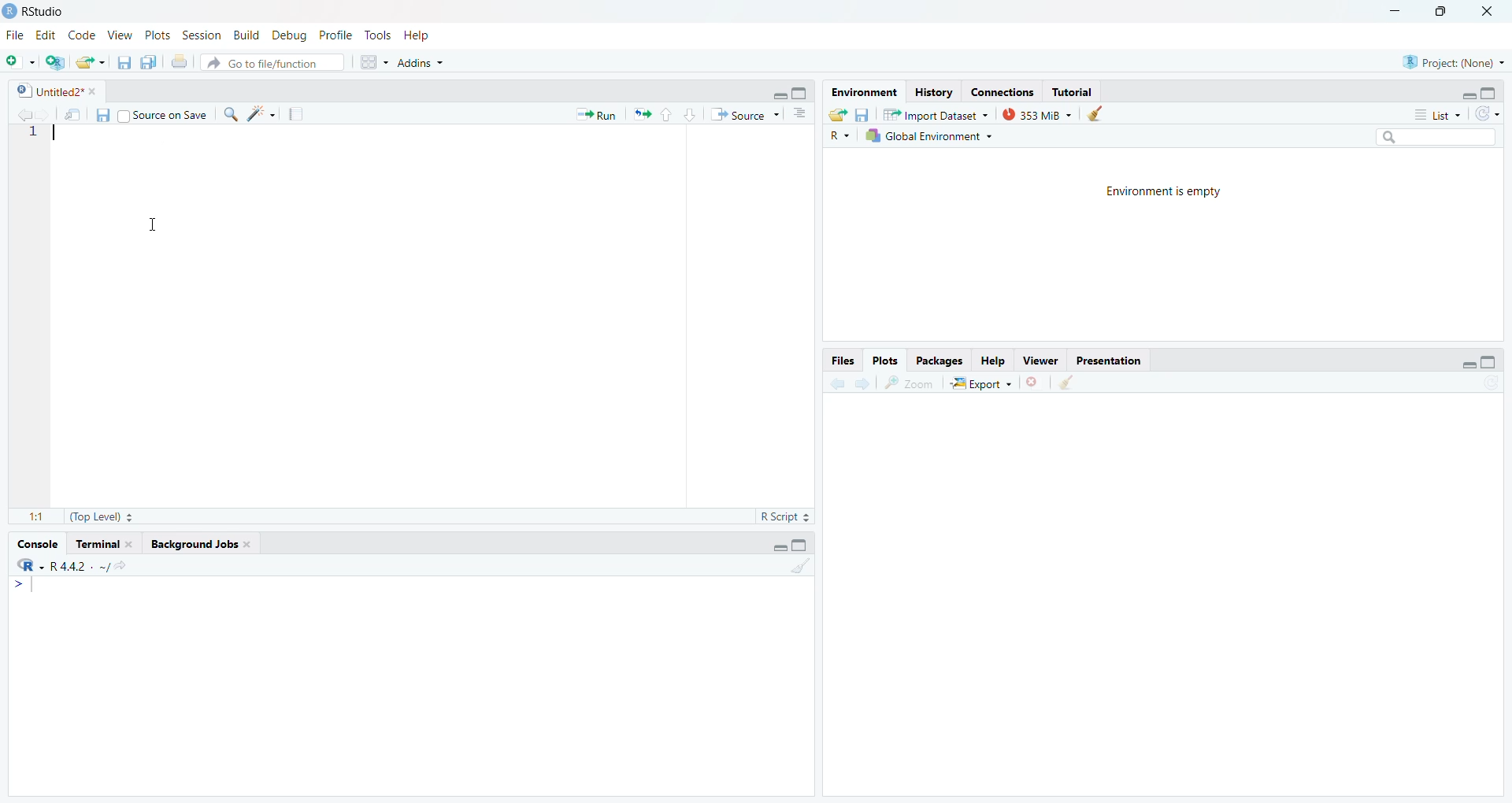 This screenshot has height=803, width=1512. I want to click on clear current plots, so click(1036, 381).